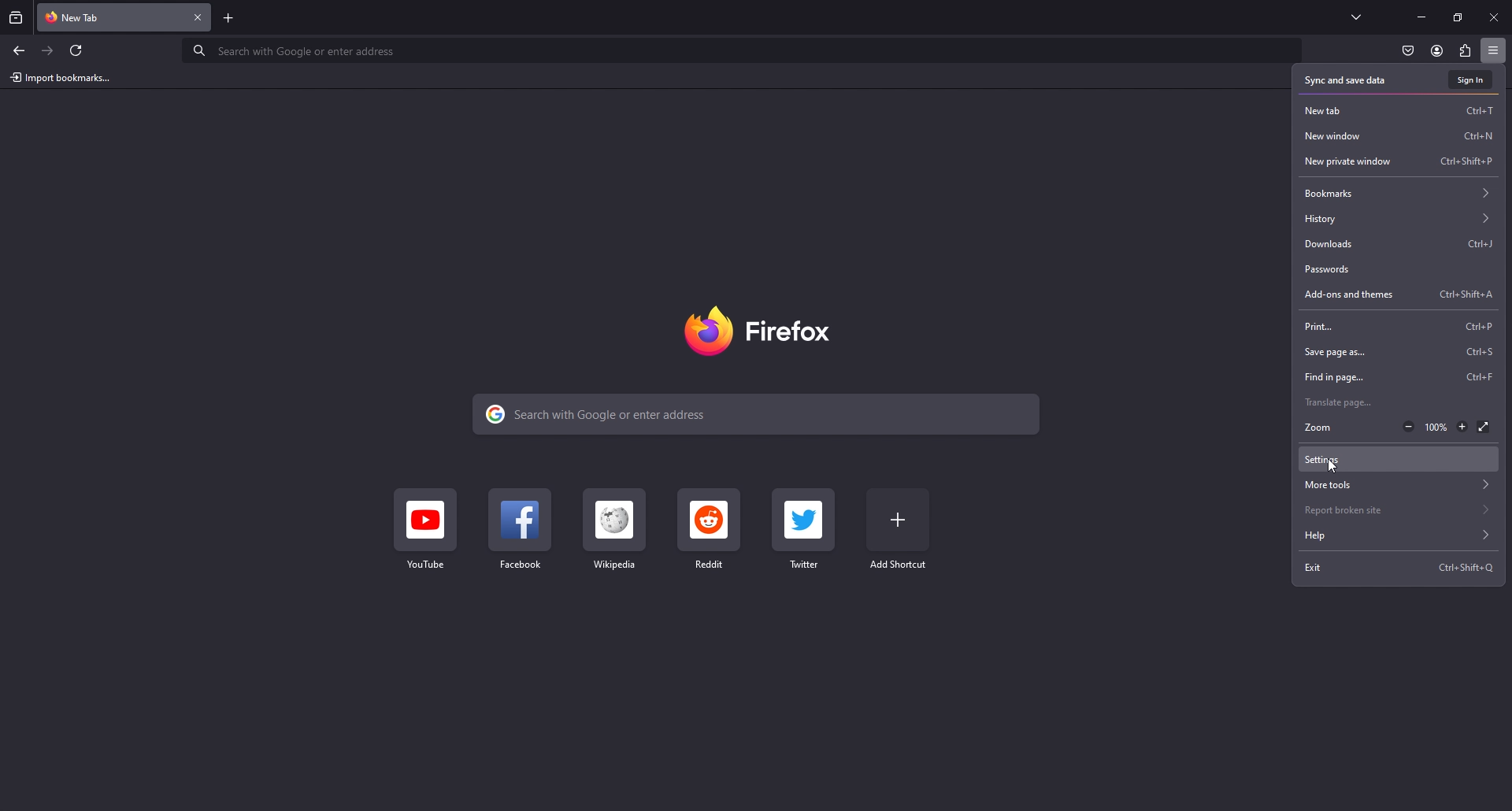 Image resolution: width=1512 pixels, height=811 pixels. I want to click on print, so click(1398, 326).